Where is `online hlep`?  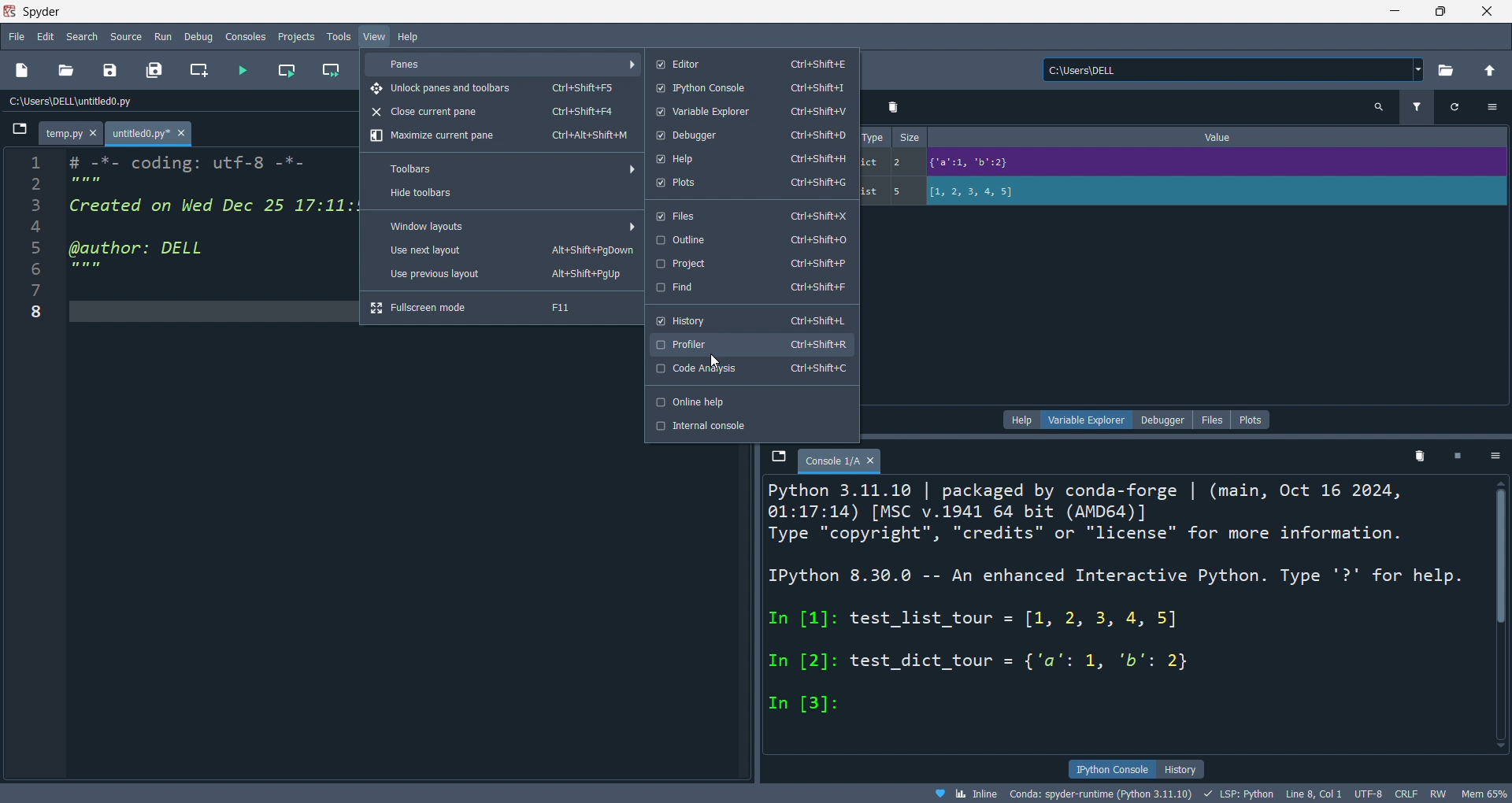 online hlep is located at coordinates (750, 401).